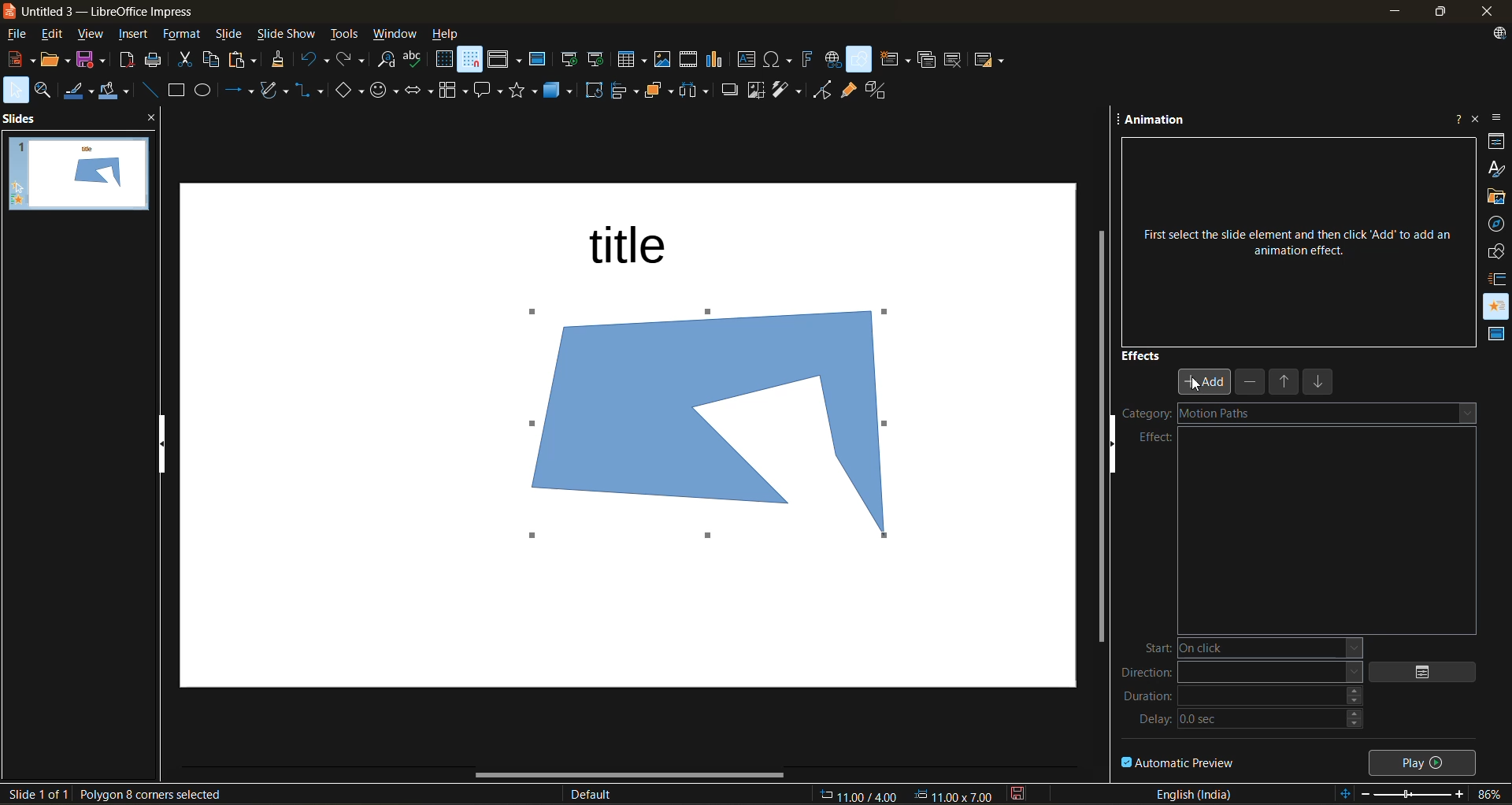 Image resolution: width=1512 pixels, height=805 pixels. I want to click on line color, so click(80, 91).